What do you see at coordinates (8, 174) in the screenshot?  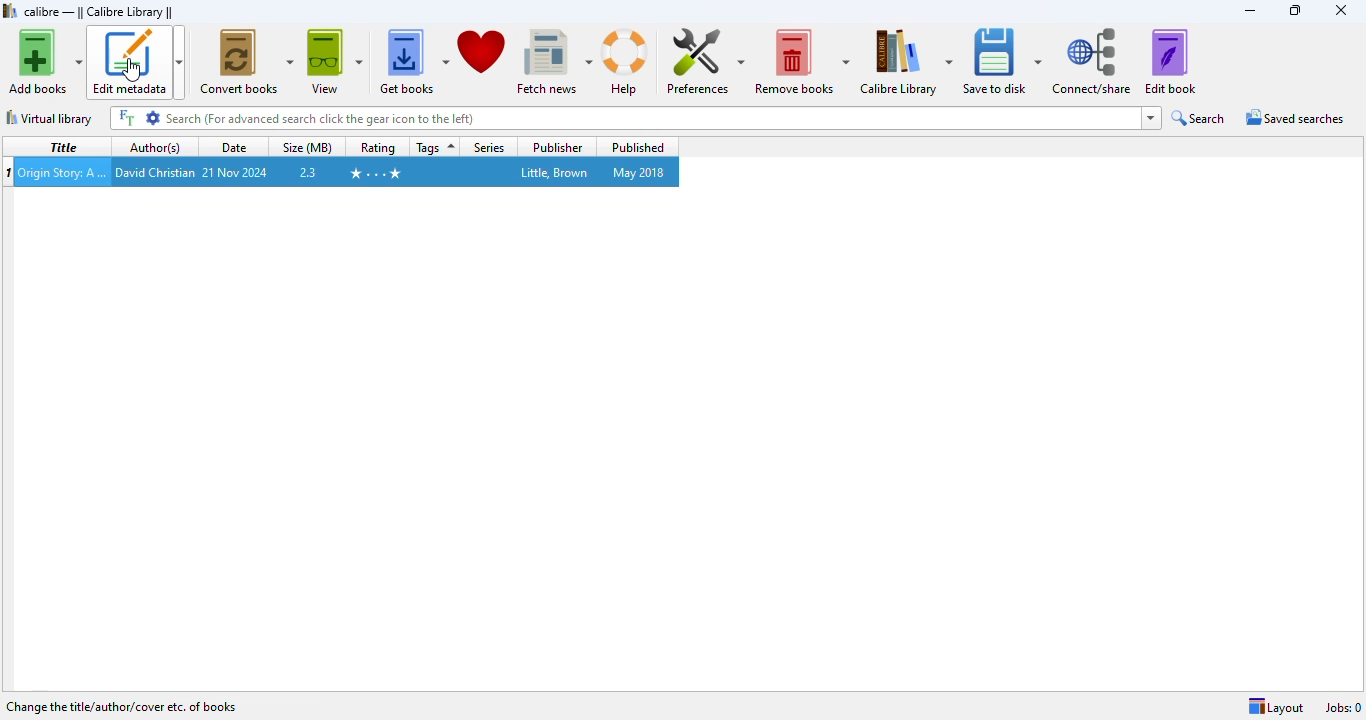 I see `munber` at bounding box center [8, 174].